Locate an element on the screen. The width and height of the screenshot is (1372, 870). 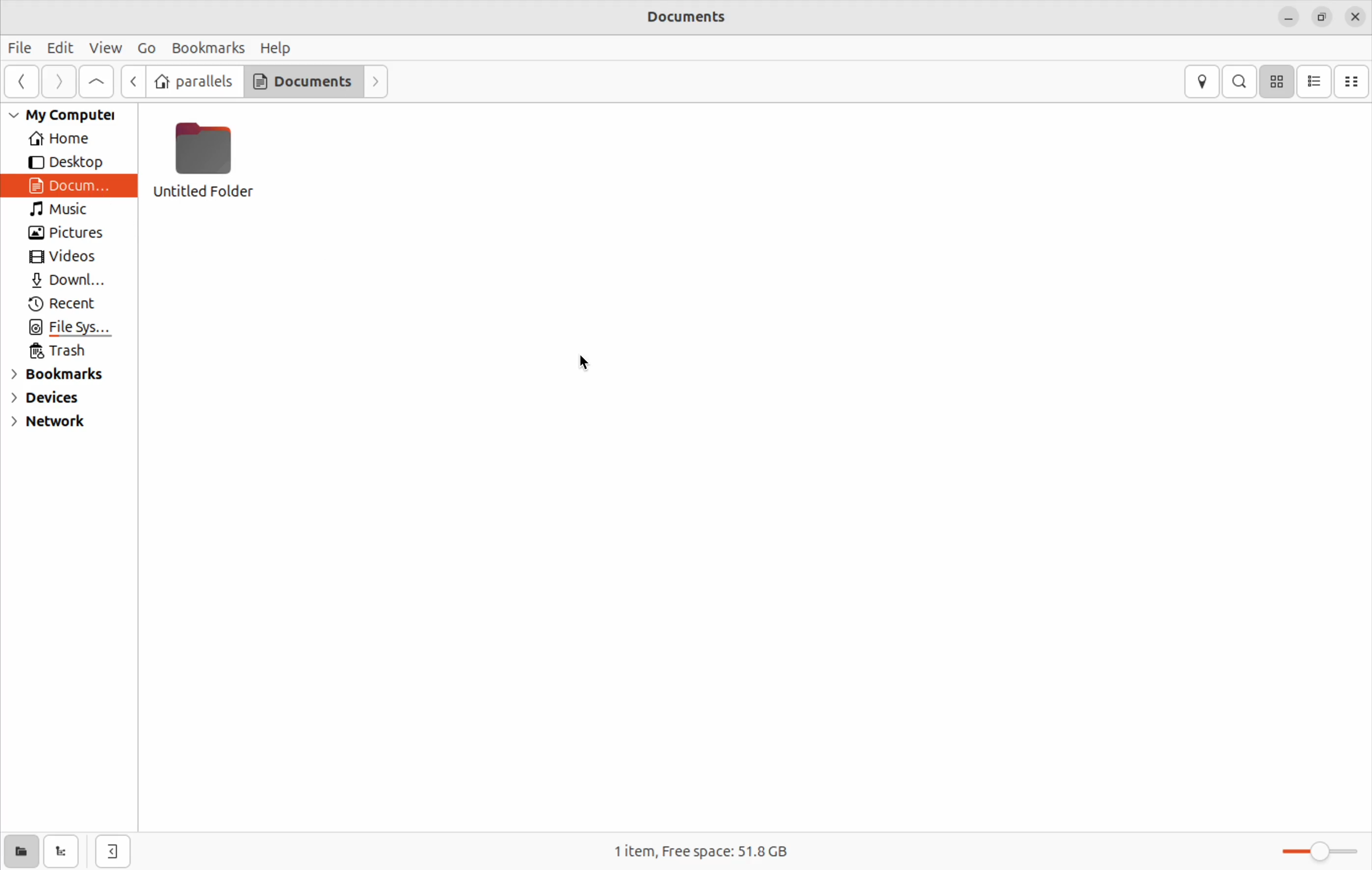
Pictures is located at coordinates (71, 235).